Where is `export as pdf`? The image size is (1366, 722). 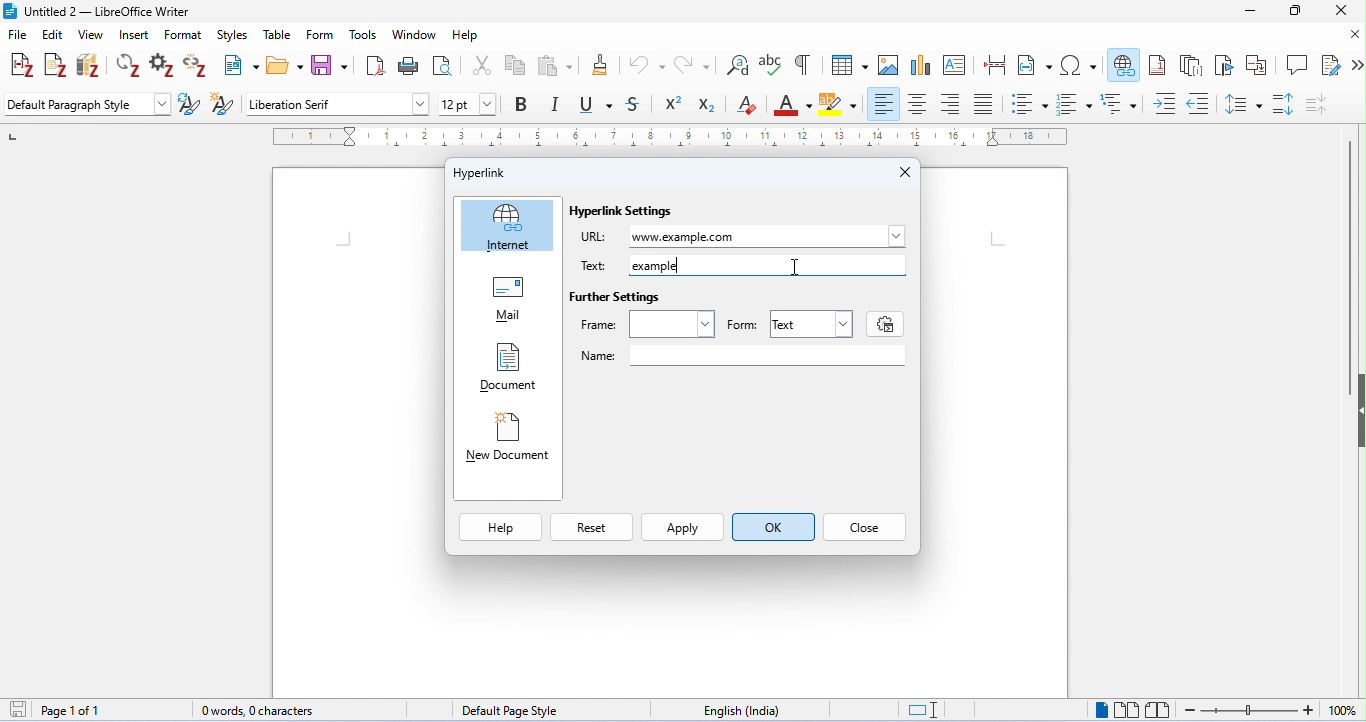 export as pdf is located at coordinates (373, 66).